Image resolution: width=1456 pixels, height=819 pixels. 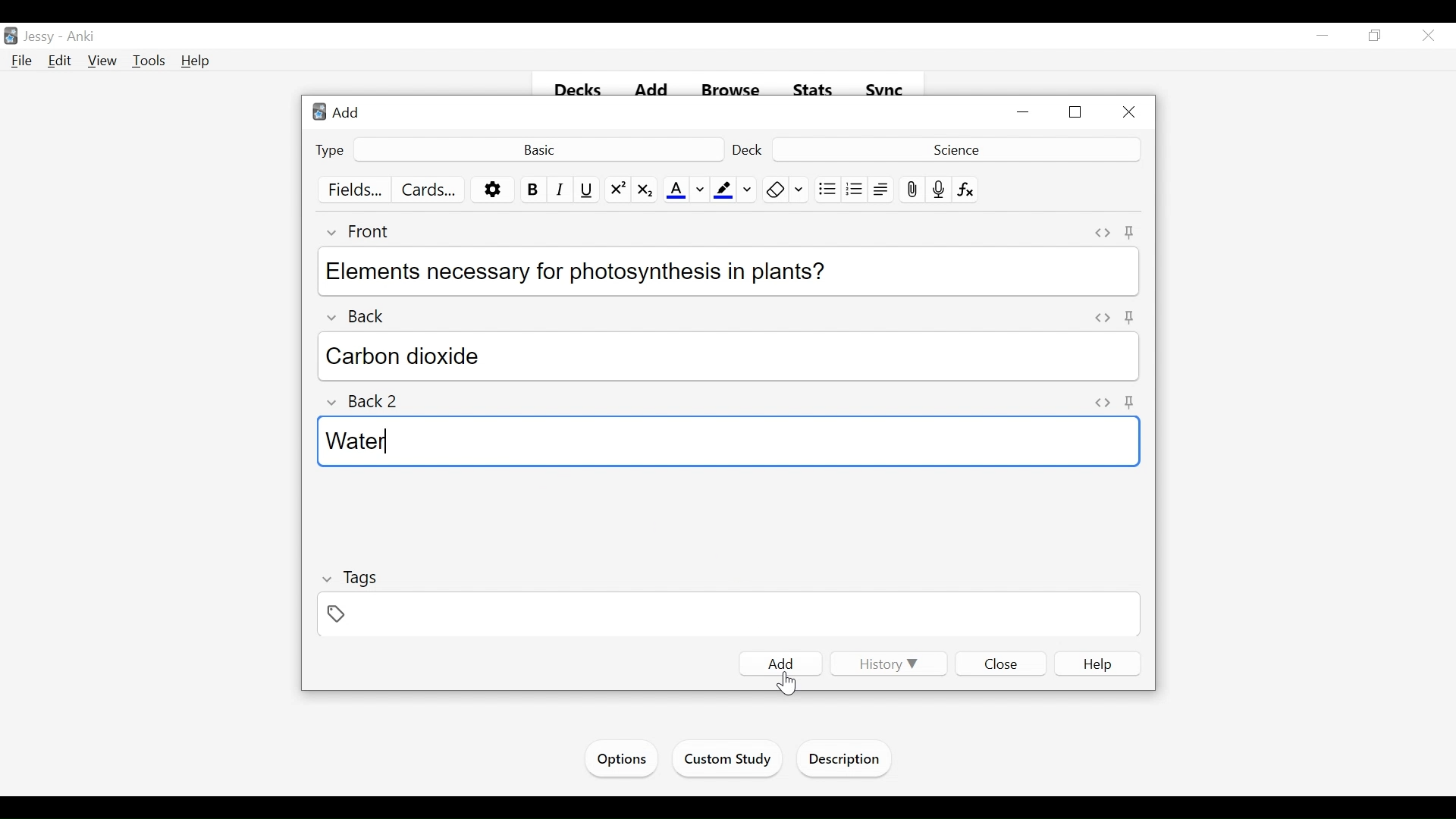 I want to click on Deck, so click(x=954, y=149).